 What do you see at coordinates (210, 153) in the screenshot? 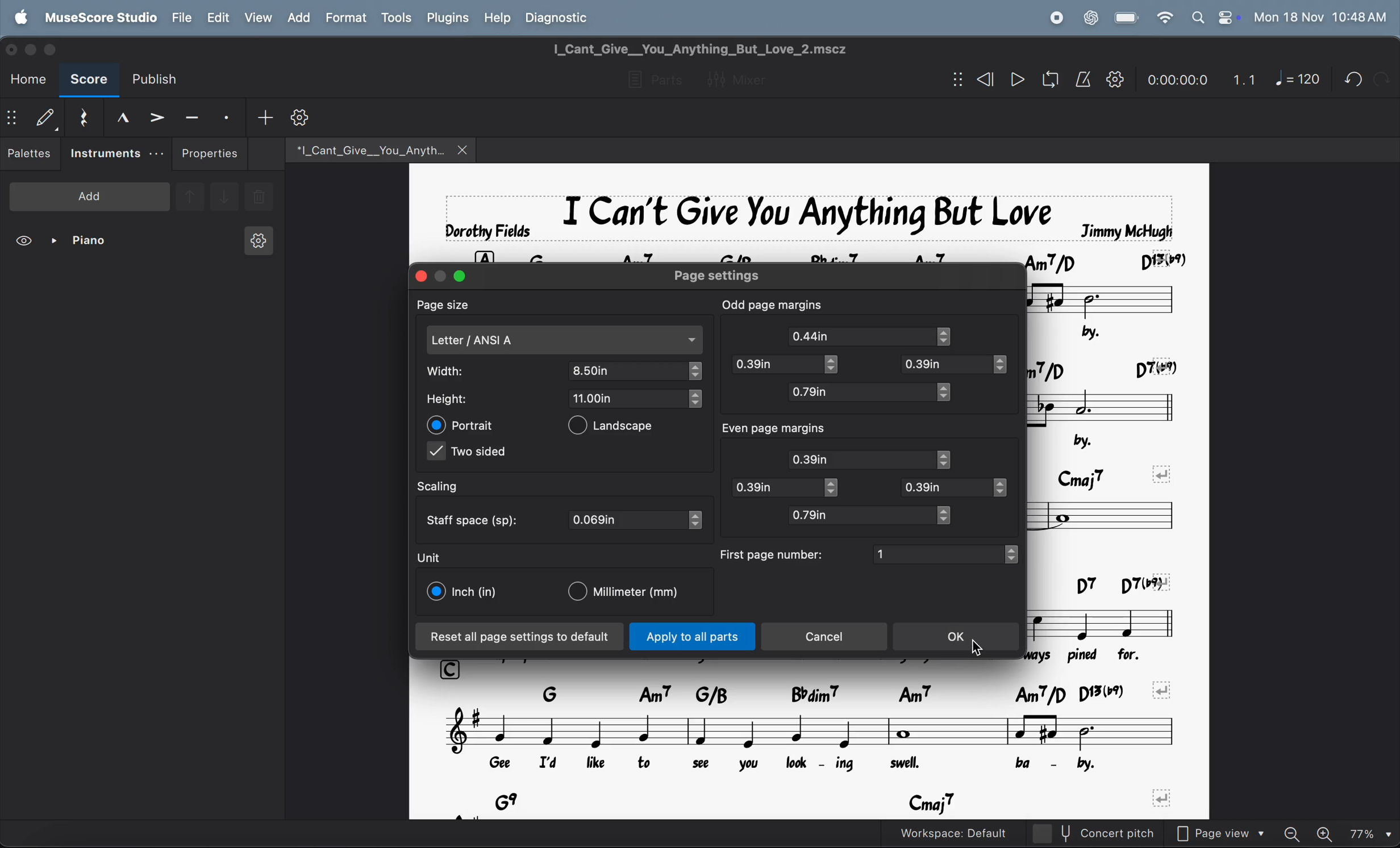
I see `properties` at bounding box center [210, 153].